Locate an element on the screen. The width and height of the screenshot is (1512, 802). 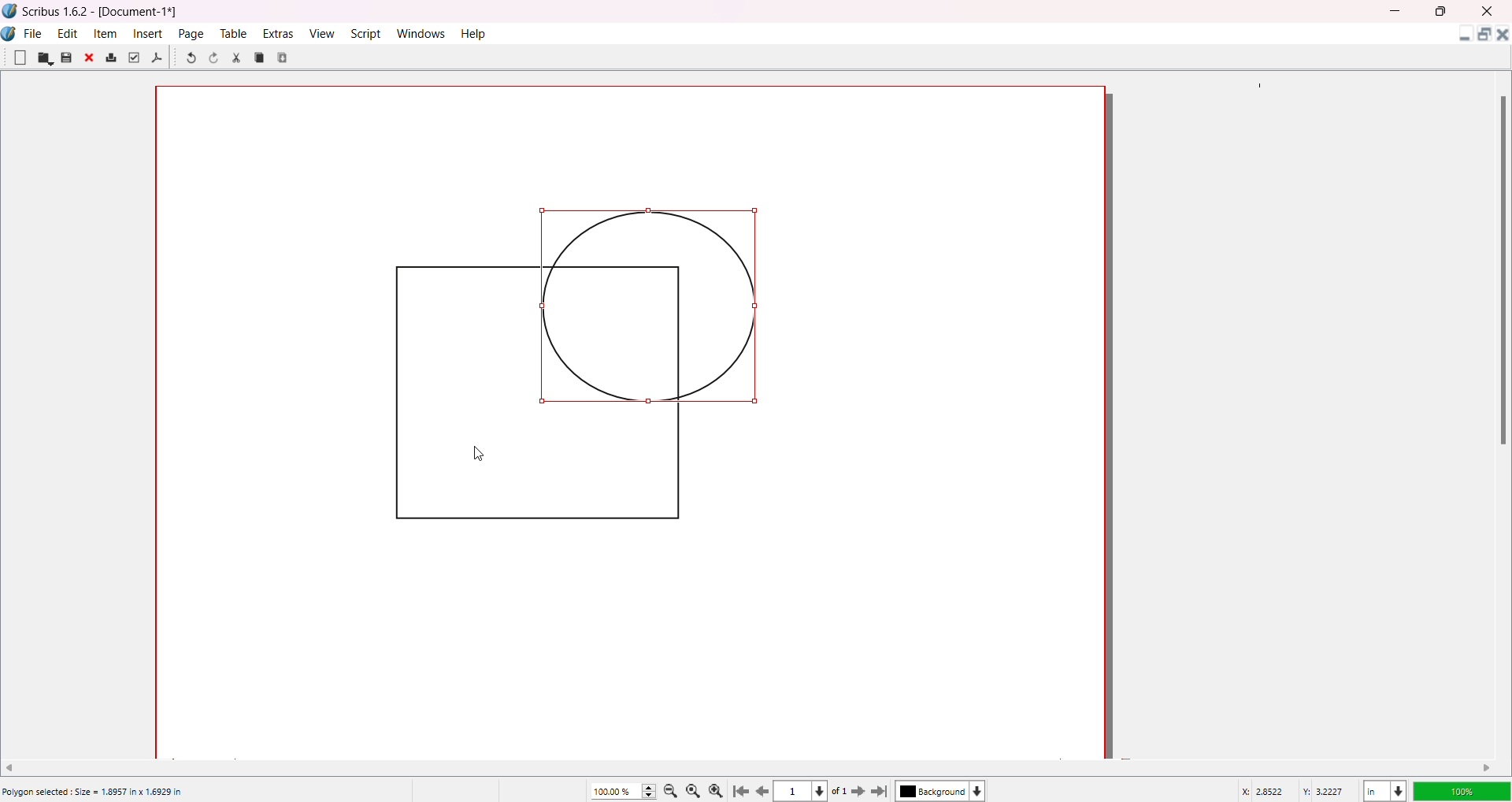
Last is located at coordinates (881, 790).